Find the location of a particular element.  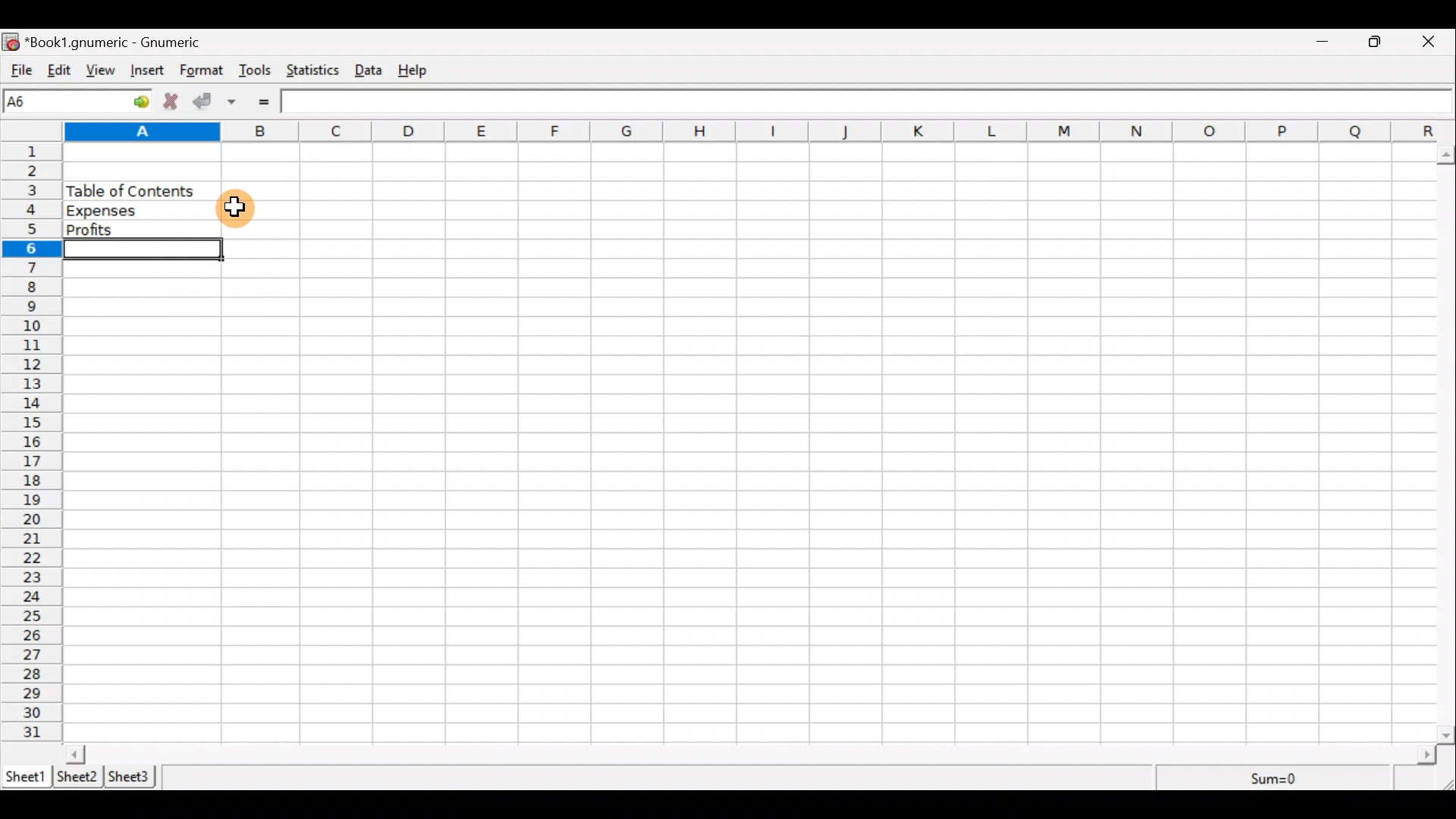

Sheet 3 is located at coordinates (130, 777).